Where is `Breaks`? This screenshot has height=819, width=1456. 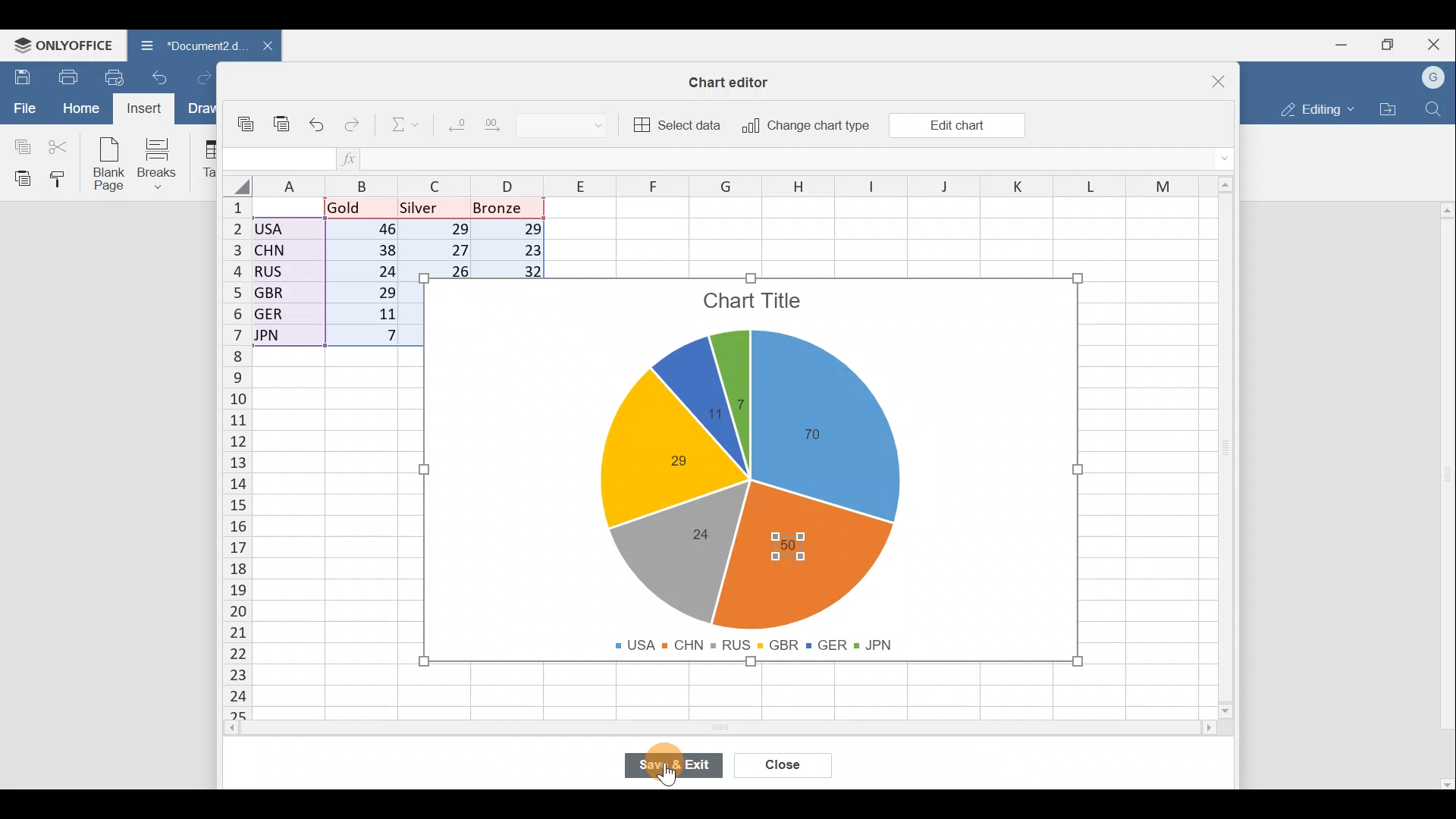
Breaks is located at coordinates (160, 165).